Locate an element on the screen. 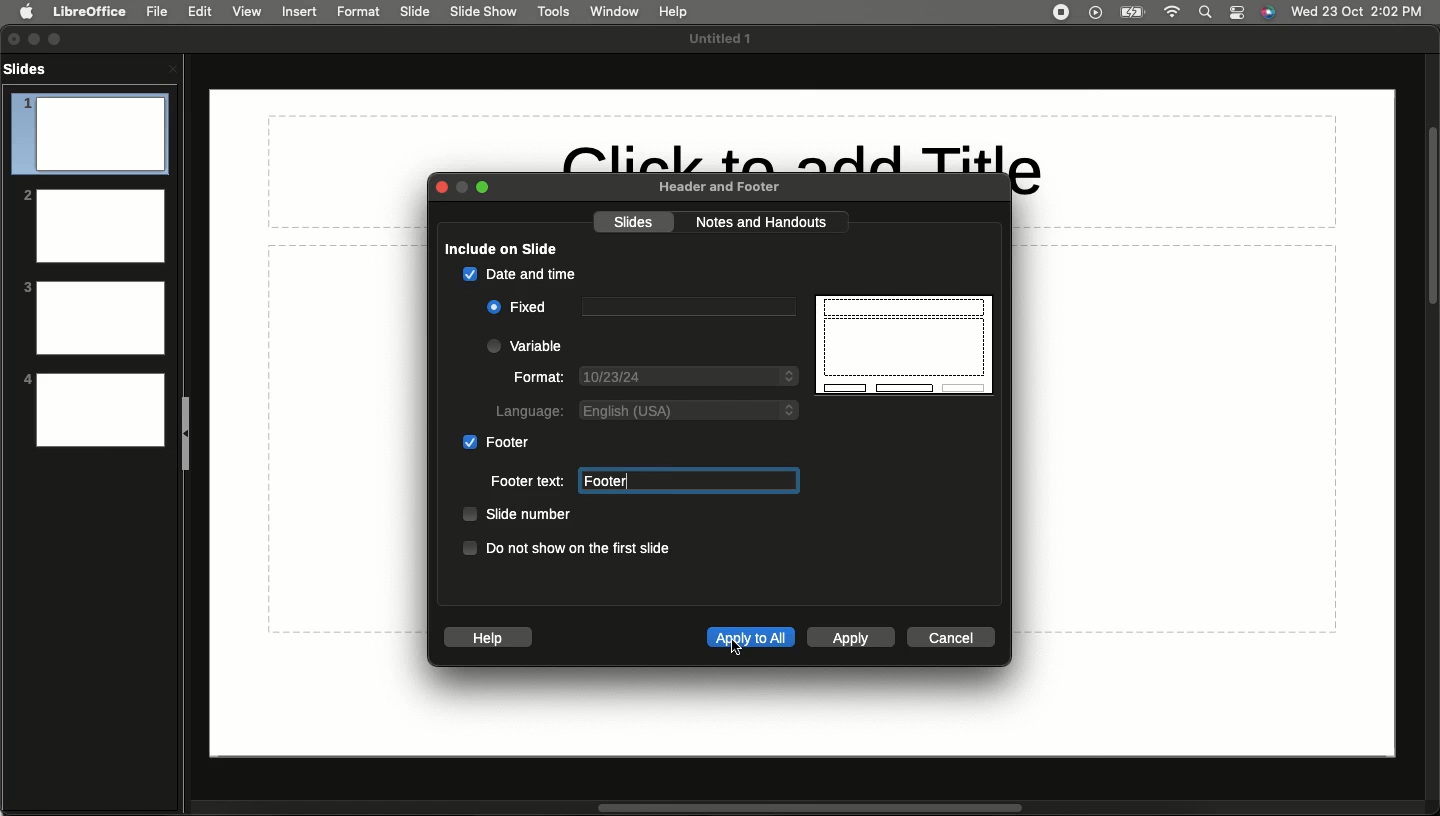 This screenshot has height=816, width=1440. Footer text is located at coordinates (527, 481).